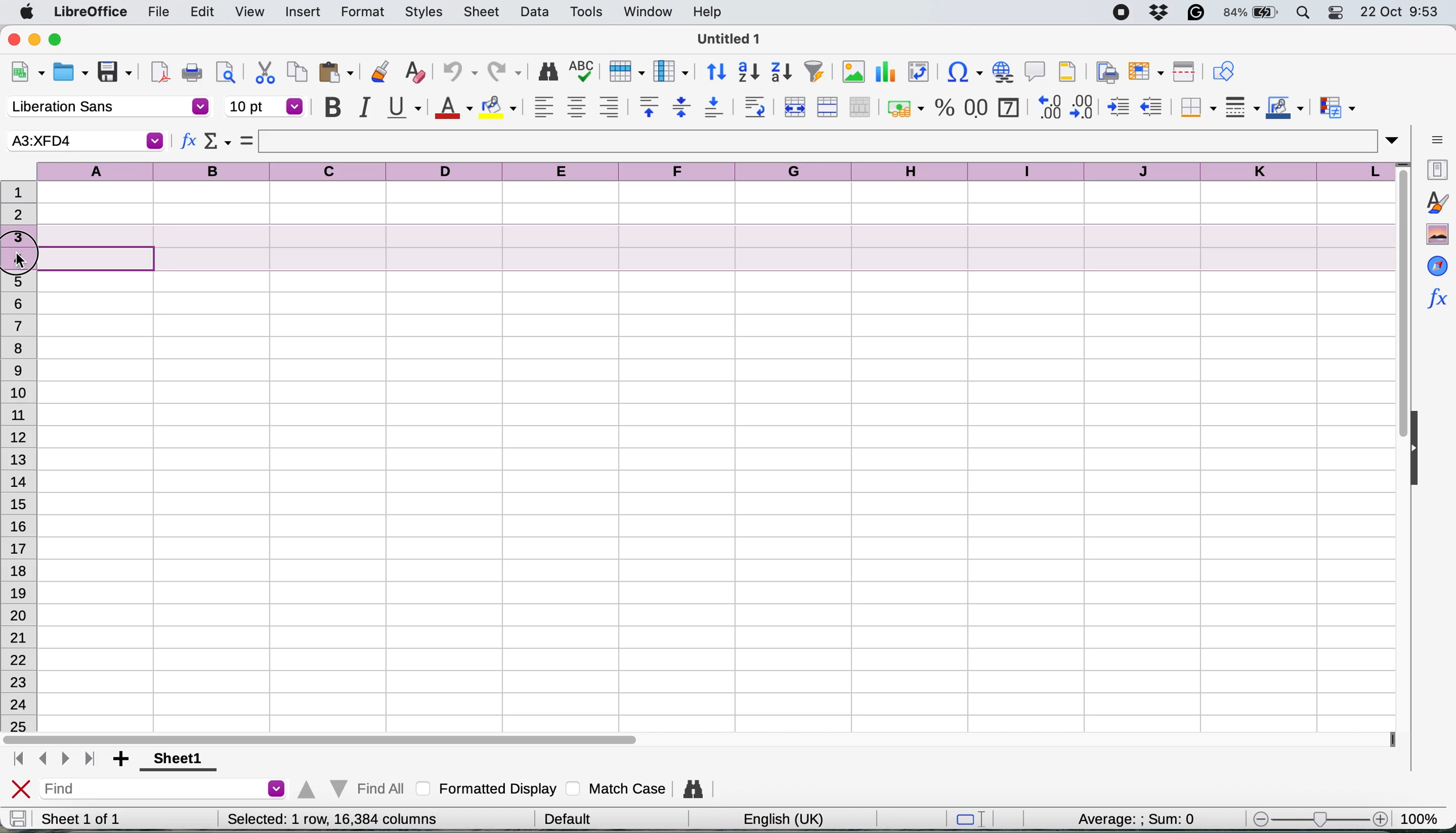 The width and height of the screenshot is (1456, 833). Describe the element at coordinates (749, 73) in the screenshot. I see `sort ascending` at that location.